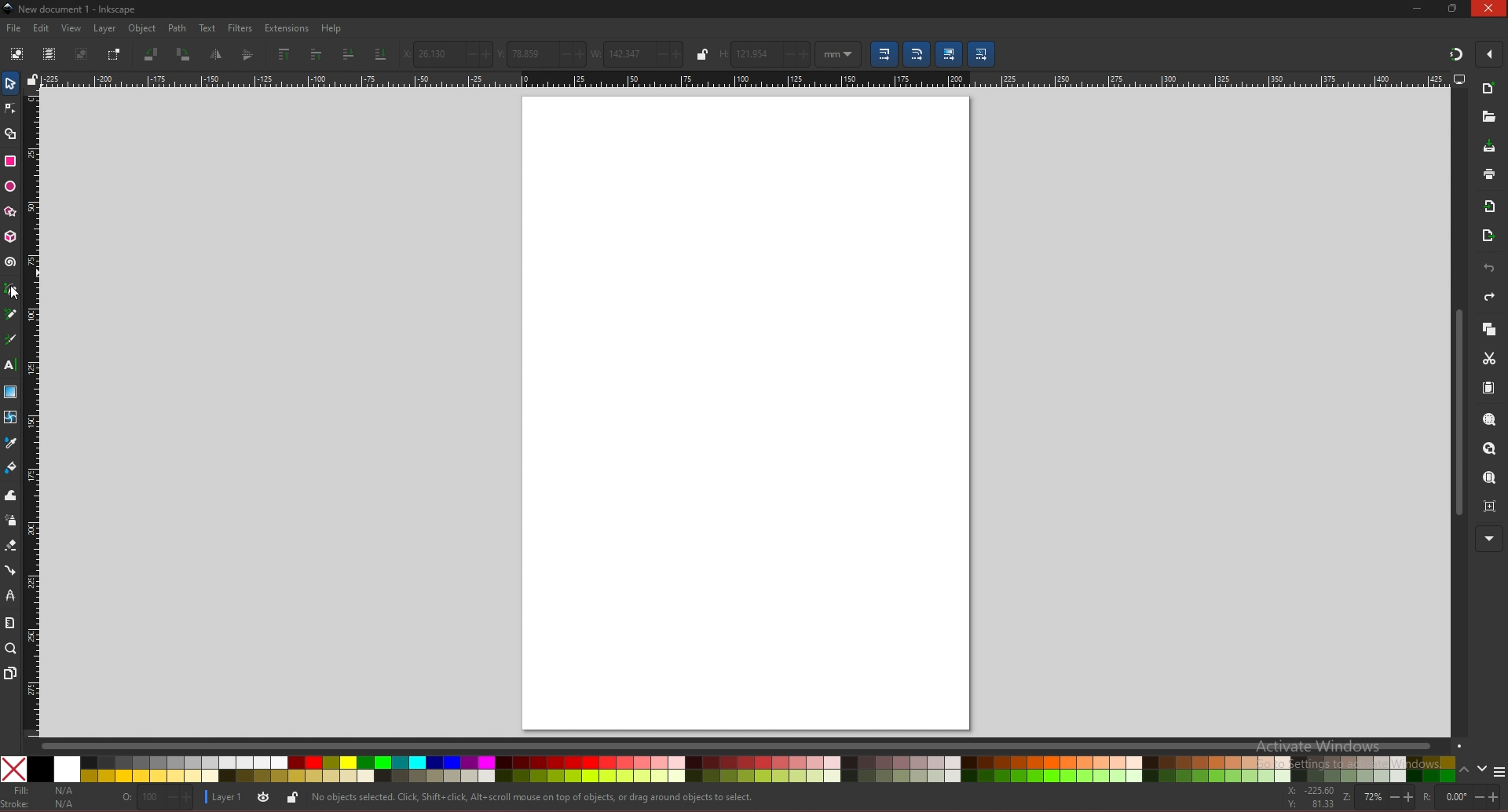 The width and height of the screenshot is (1508, 812). Describe the element at coordinates (263, 798) in the screenshot. I see `toggle visibility` at that location.